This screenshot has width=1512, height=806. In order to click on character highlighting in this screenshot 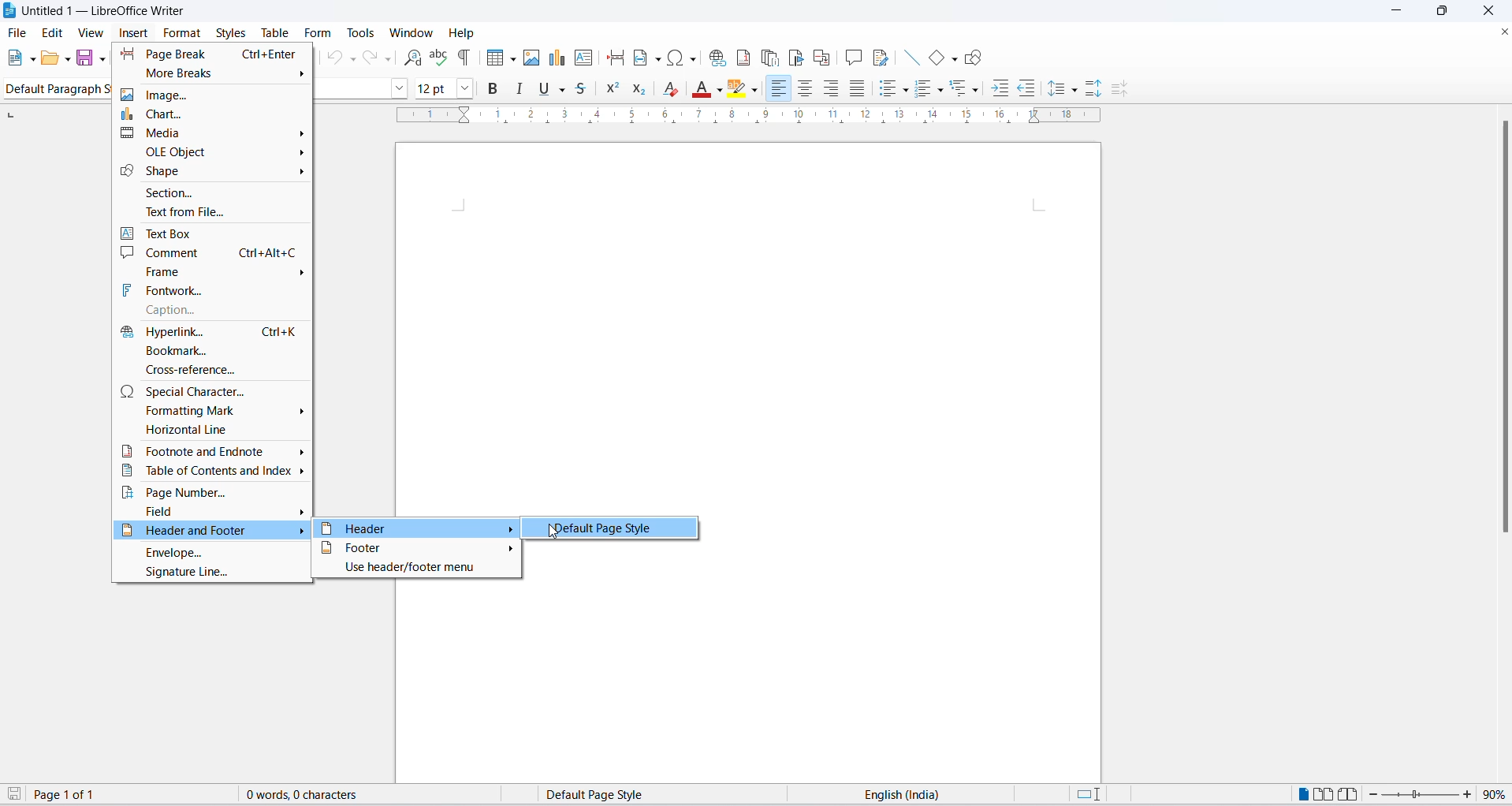, I will do `click(738, 90)`.